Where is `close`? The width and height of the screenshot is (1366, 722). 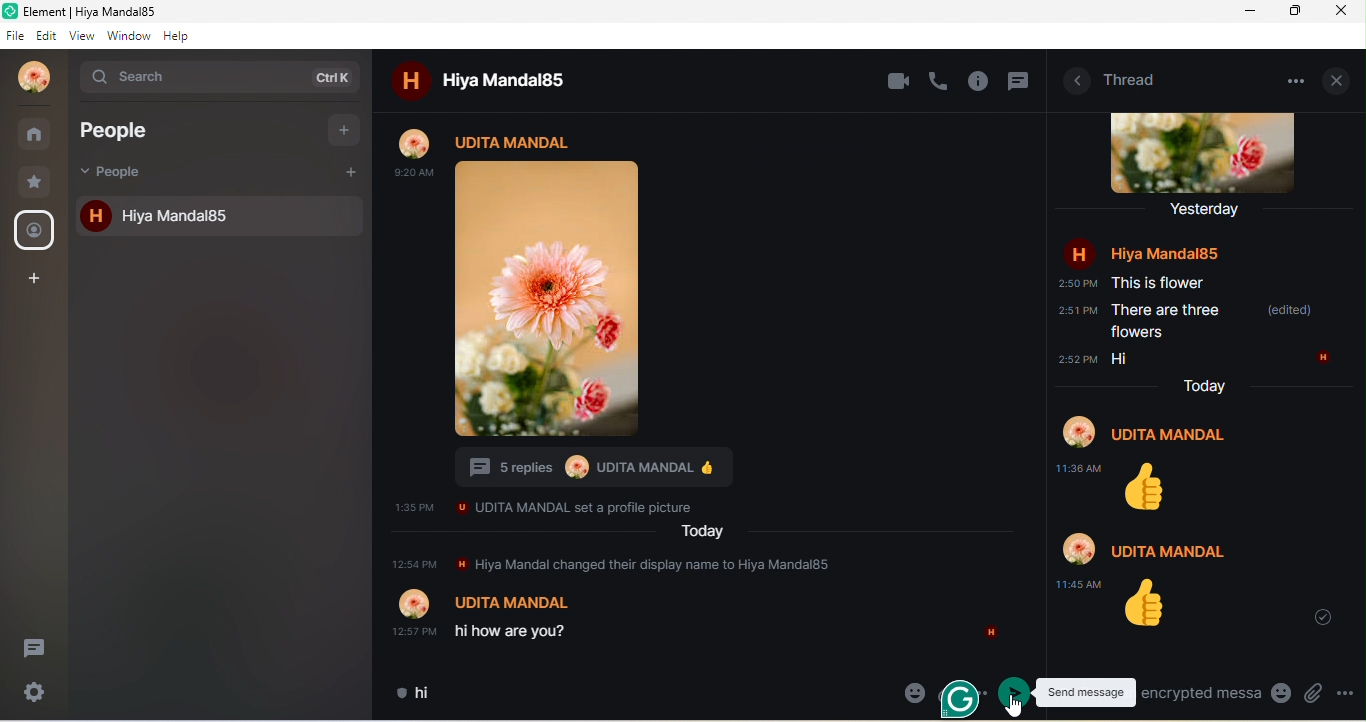 close is located at coordinates (1344, 11).